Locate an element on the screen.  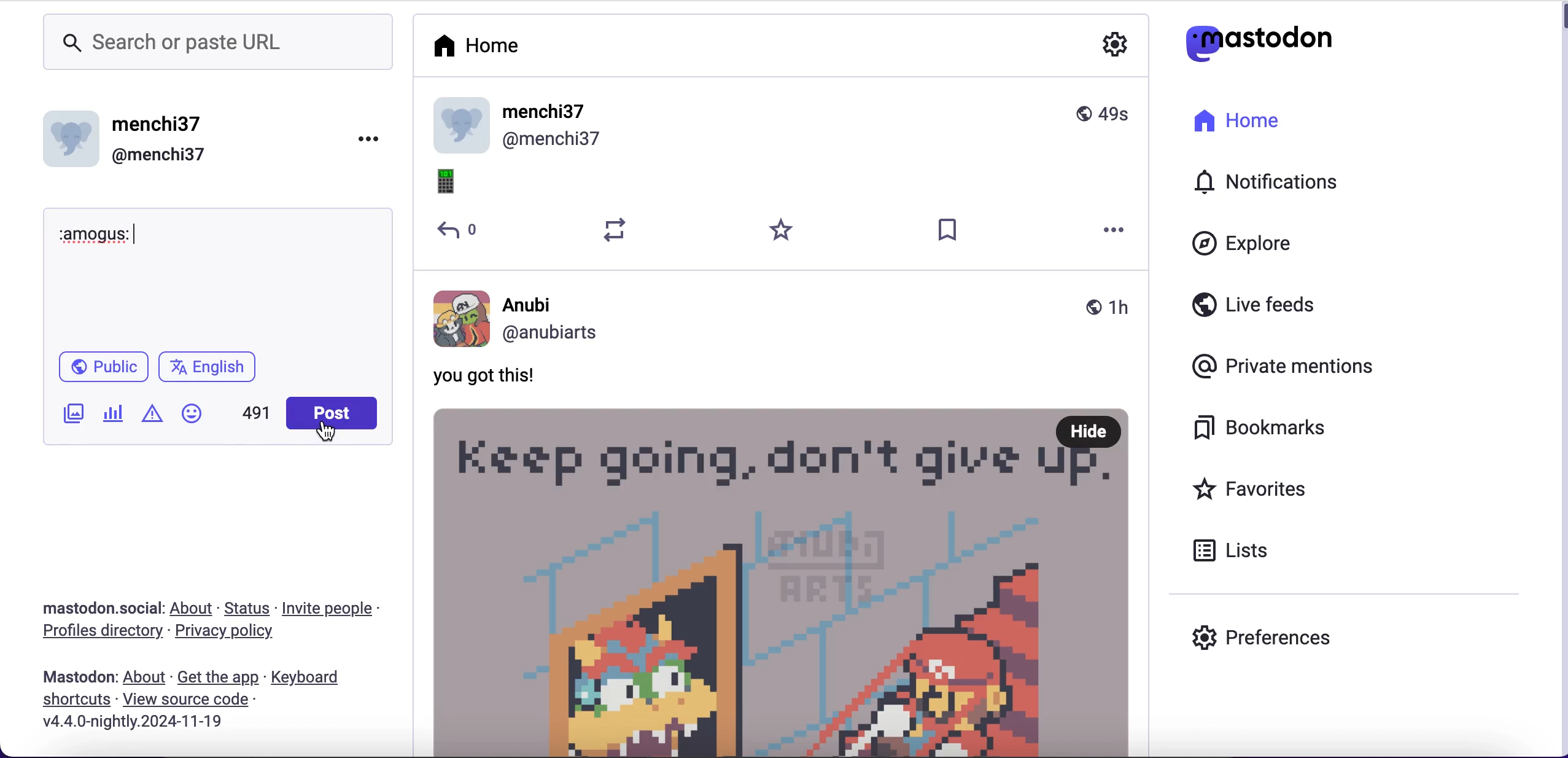
mastodon is located at coordinates (79, 677).